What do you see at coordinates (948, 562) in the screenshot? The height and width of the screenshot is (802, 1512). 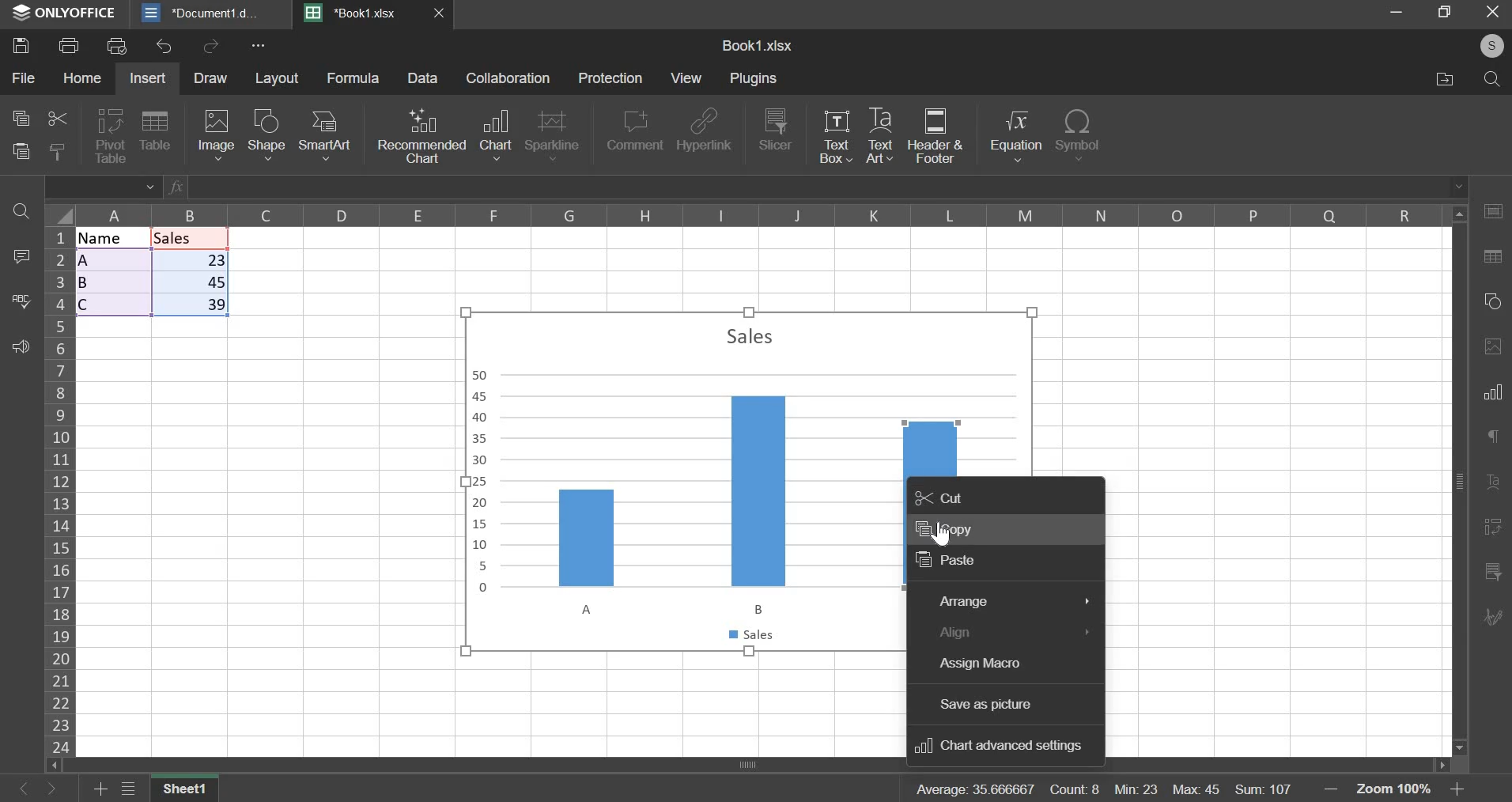 I see `paste` at bounding box center [948, 562].